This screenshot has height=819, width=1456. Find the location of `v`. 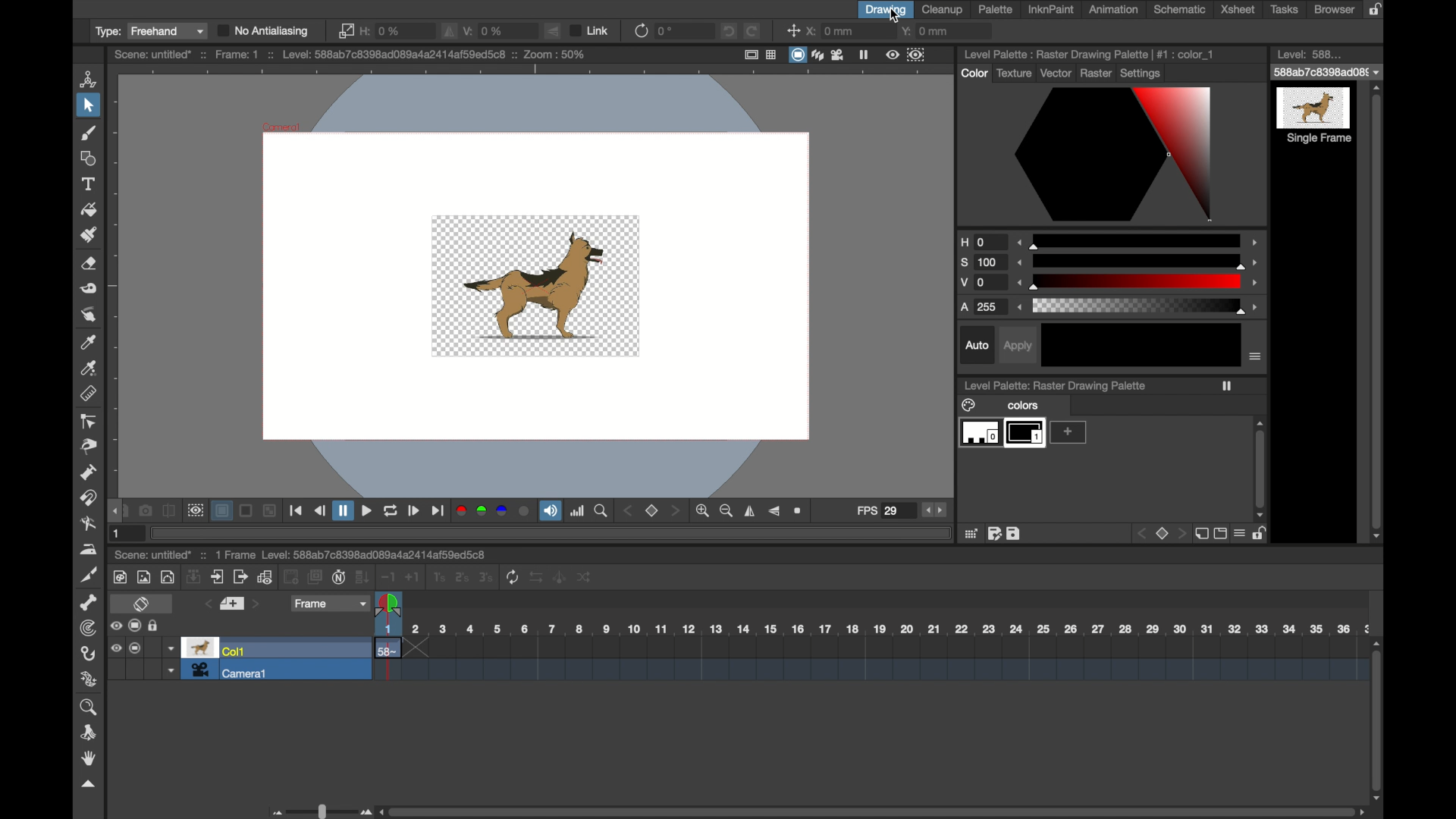

v is located at coordinates (485, 30).